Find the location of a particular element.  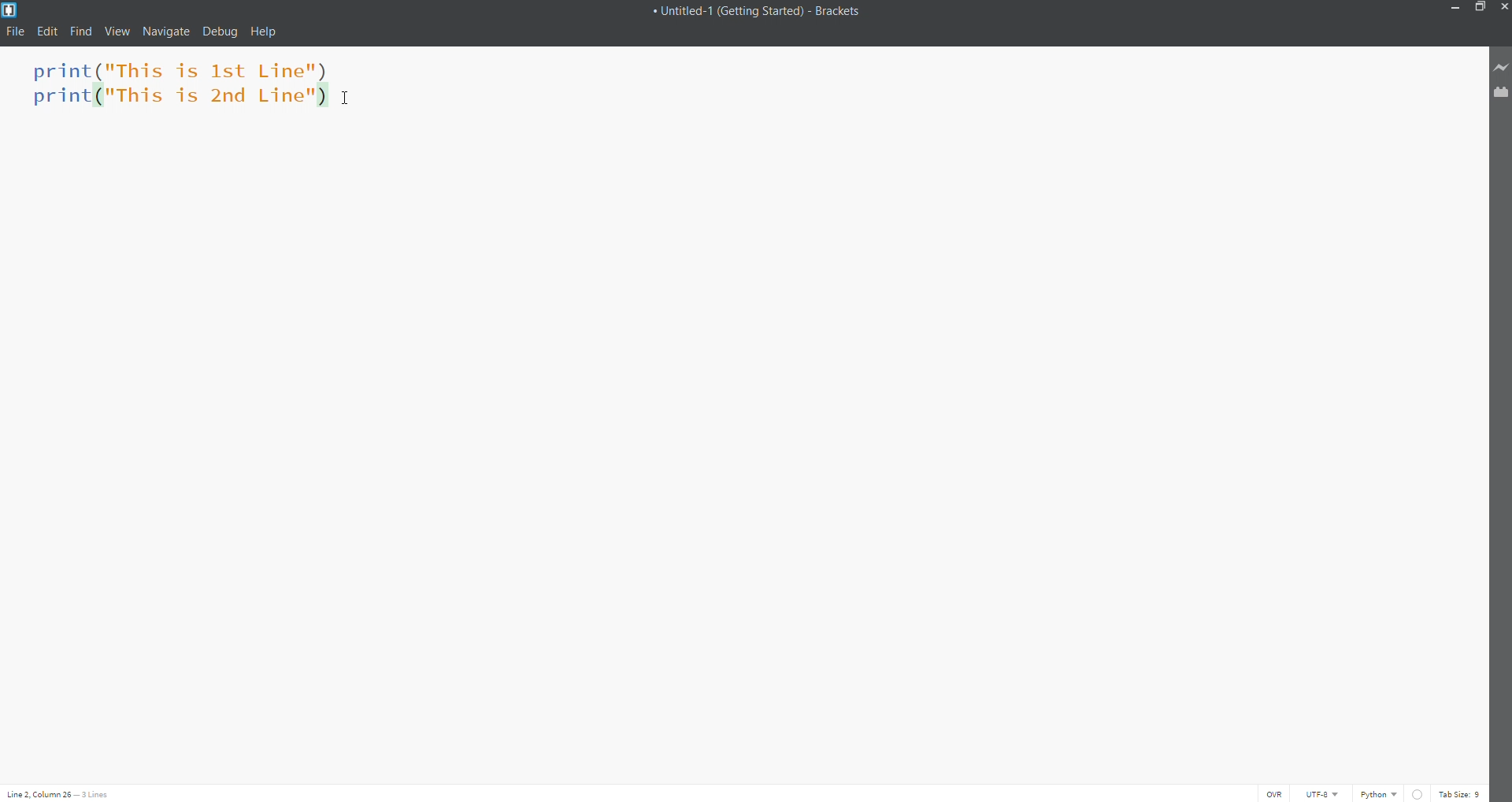

cursor is located at coordinates (349, 98).